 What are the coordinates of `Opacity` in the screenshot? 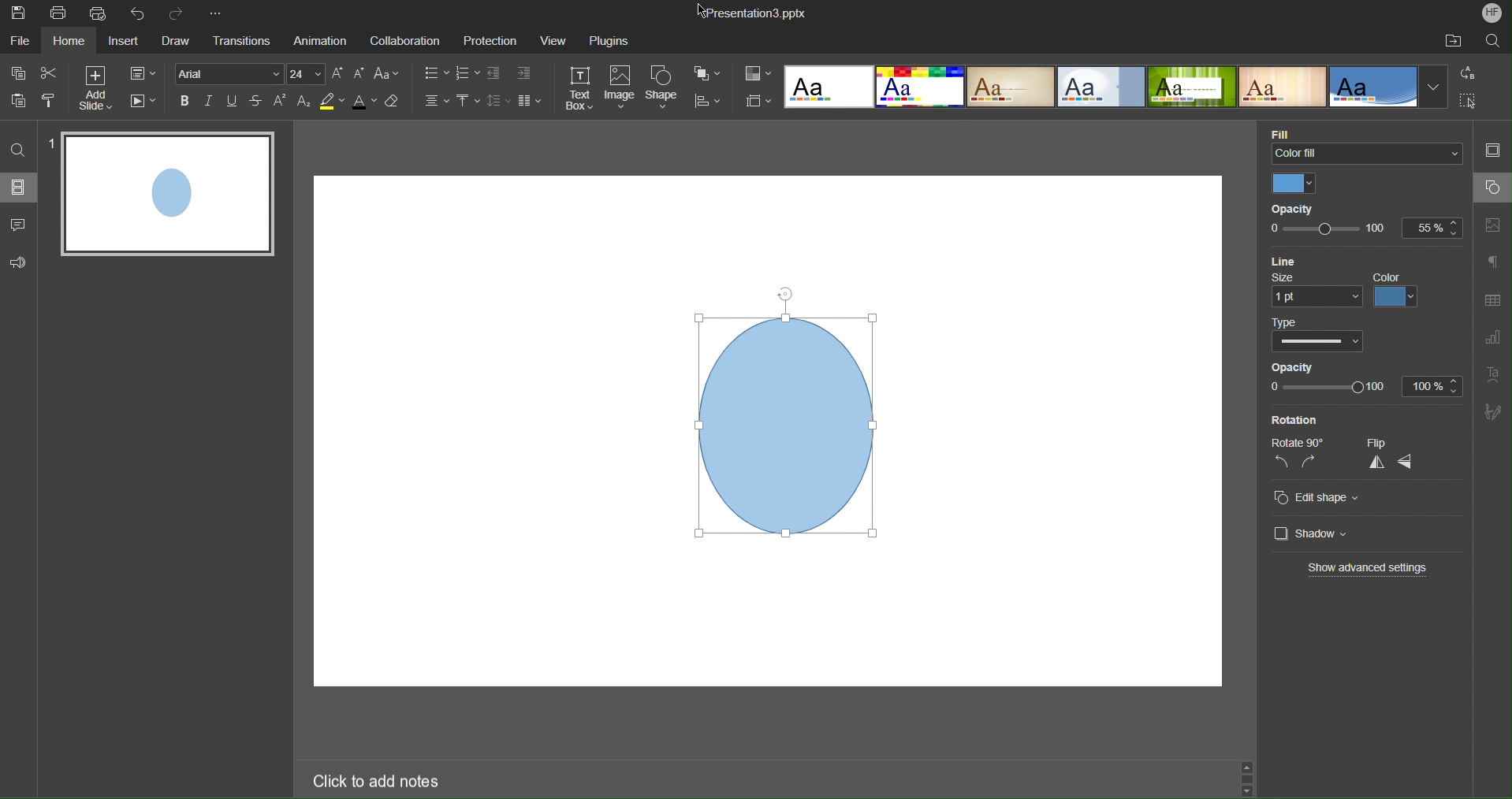 It's located at (1362, 380).